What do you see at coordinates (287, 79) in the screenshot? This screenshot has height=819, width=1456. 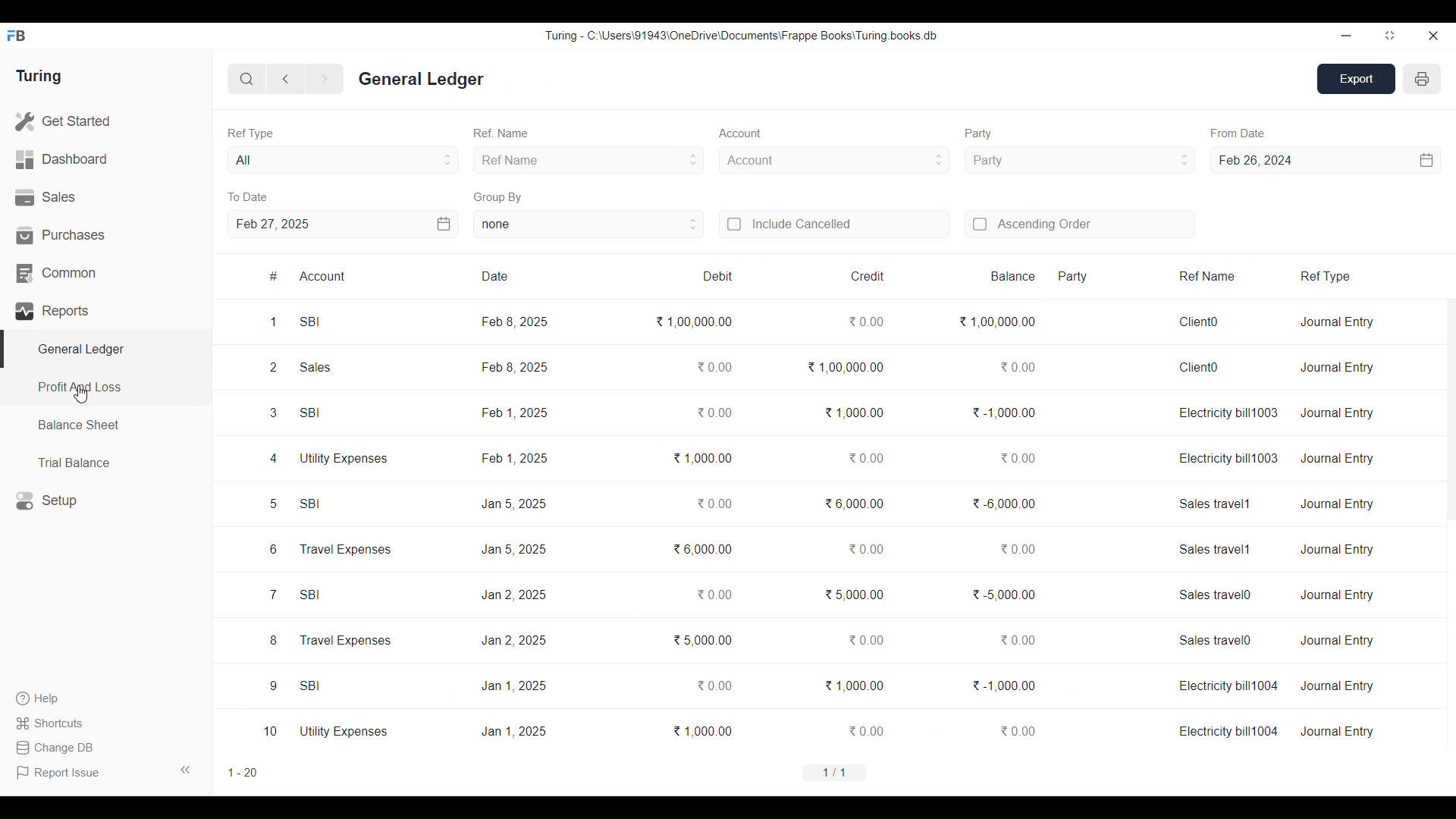 I see `Previous` at bounding box center [287, 79].